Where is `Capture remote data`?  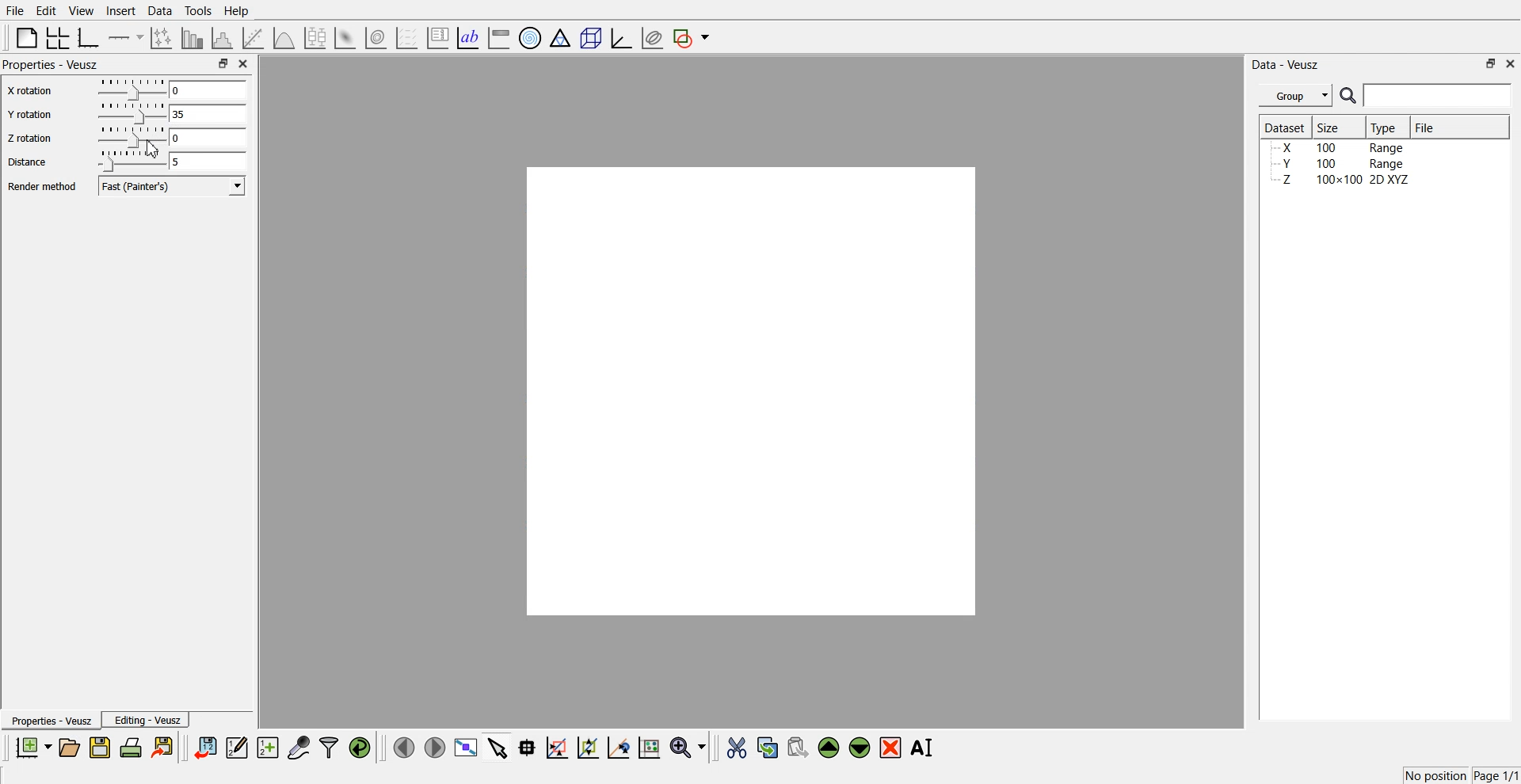 Capture remote data is located at coordinates (299, 747).